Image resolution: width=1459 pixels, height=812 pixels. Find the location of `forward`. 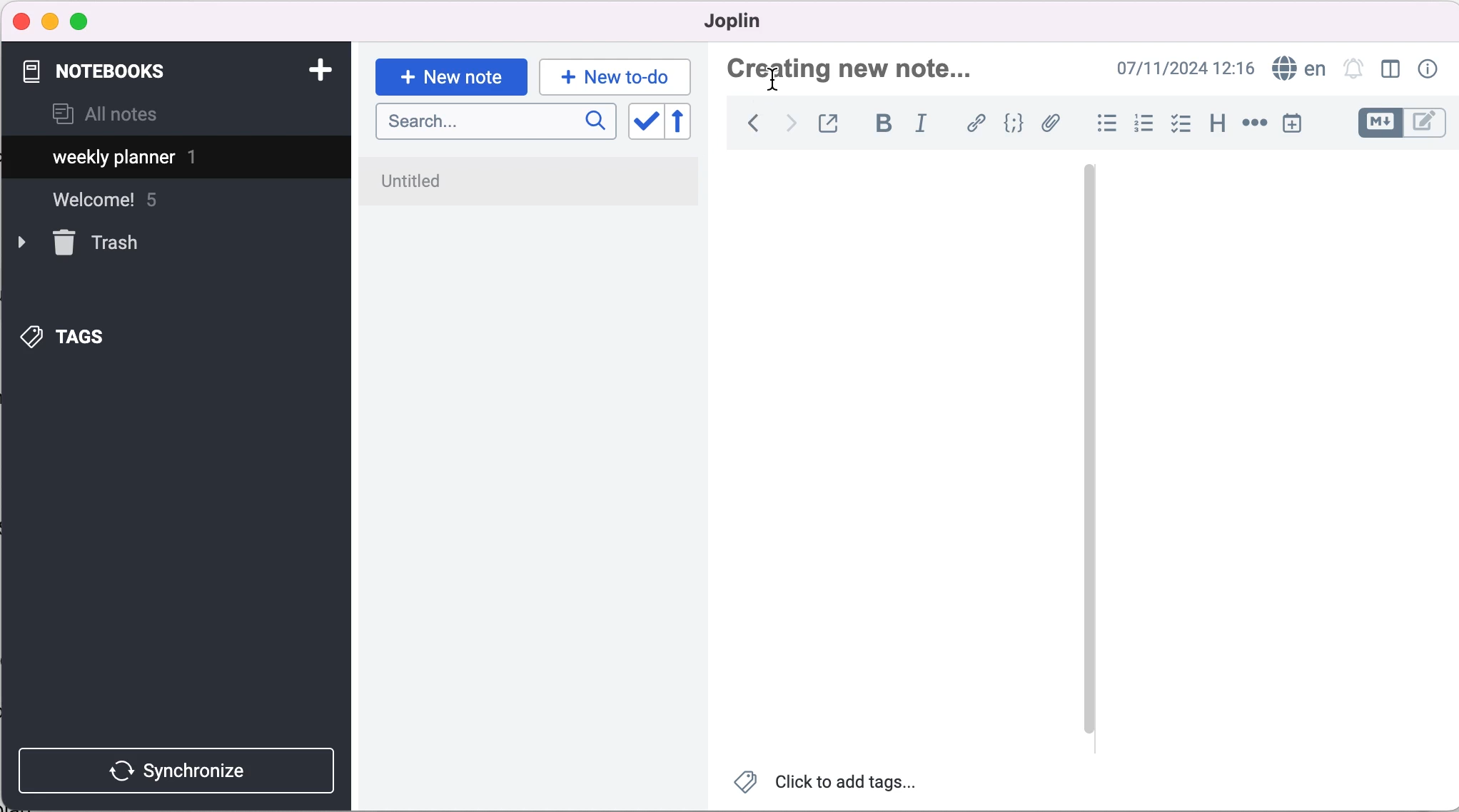

forward is located at coordinates (789, 126).